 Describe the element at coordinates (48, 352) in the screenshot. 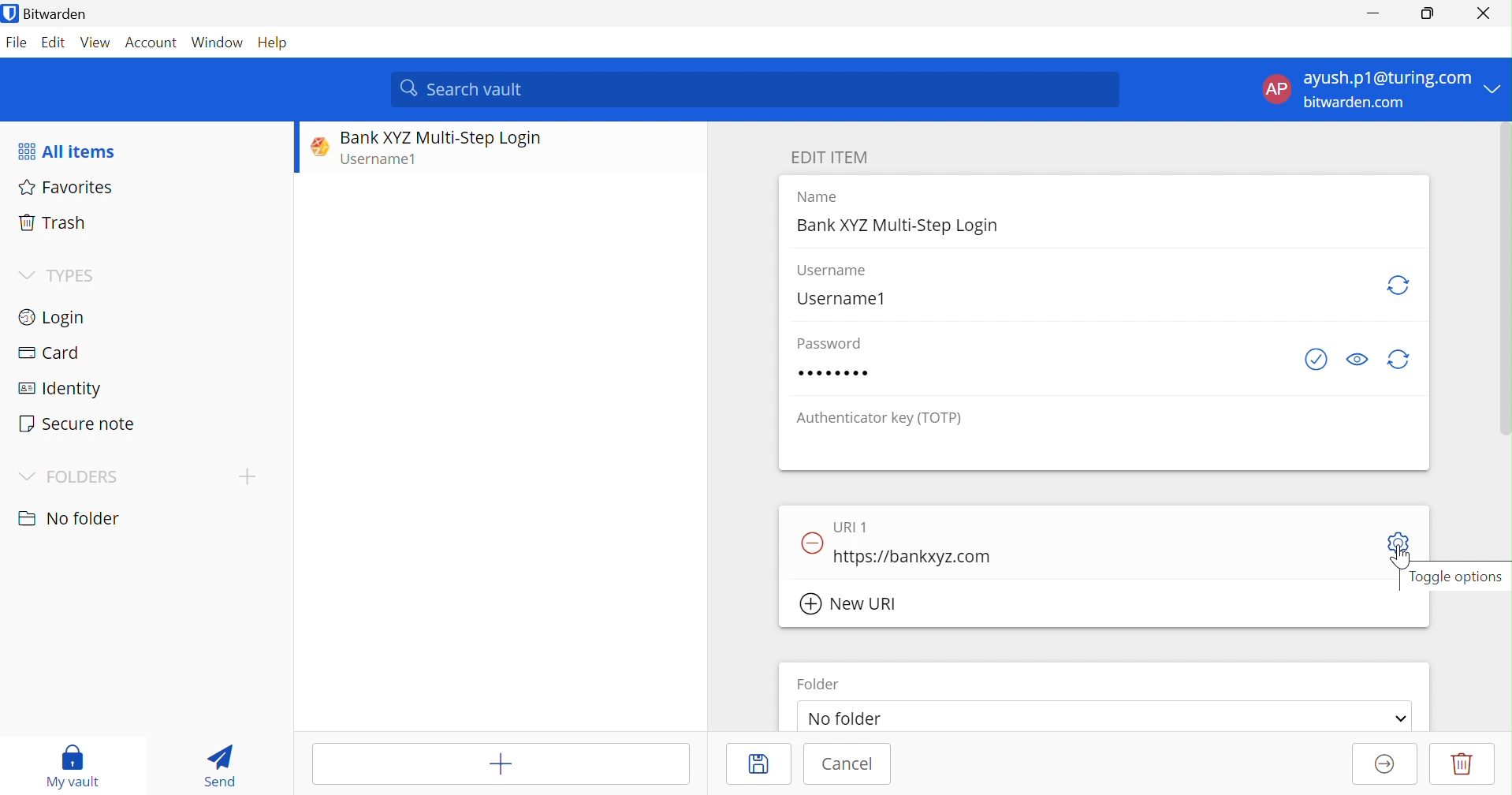

I see `Card` at that location.